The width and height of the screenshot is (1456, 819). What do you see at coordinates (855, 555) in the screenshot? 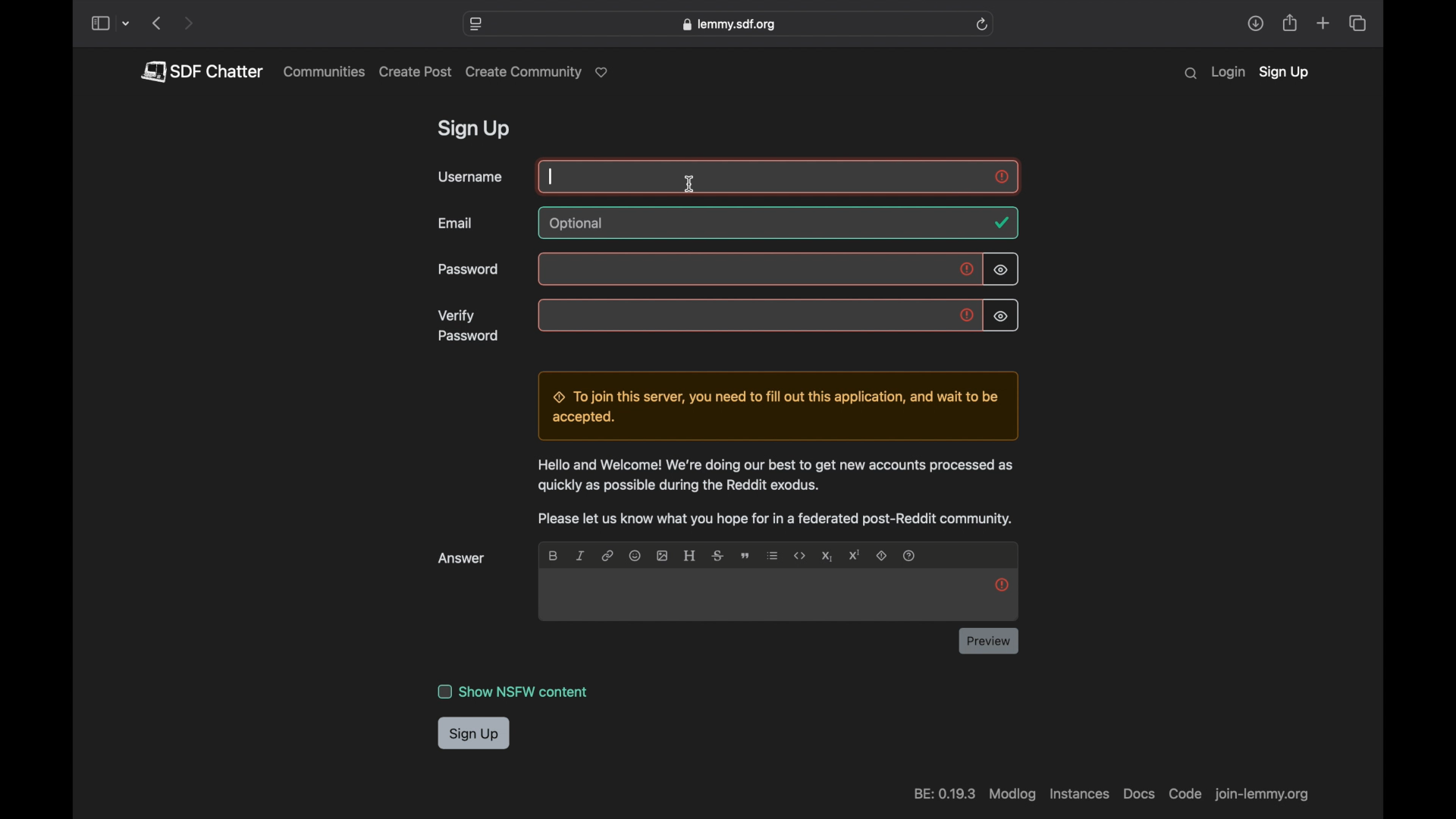
I see `superscript` at bounding box center [855, 555].